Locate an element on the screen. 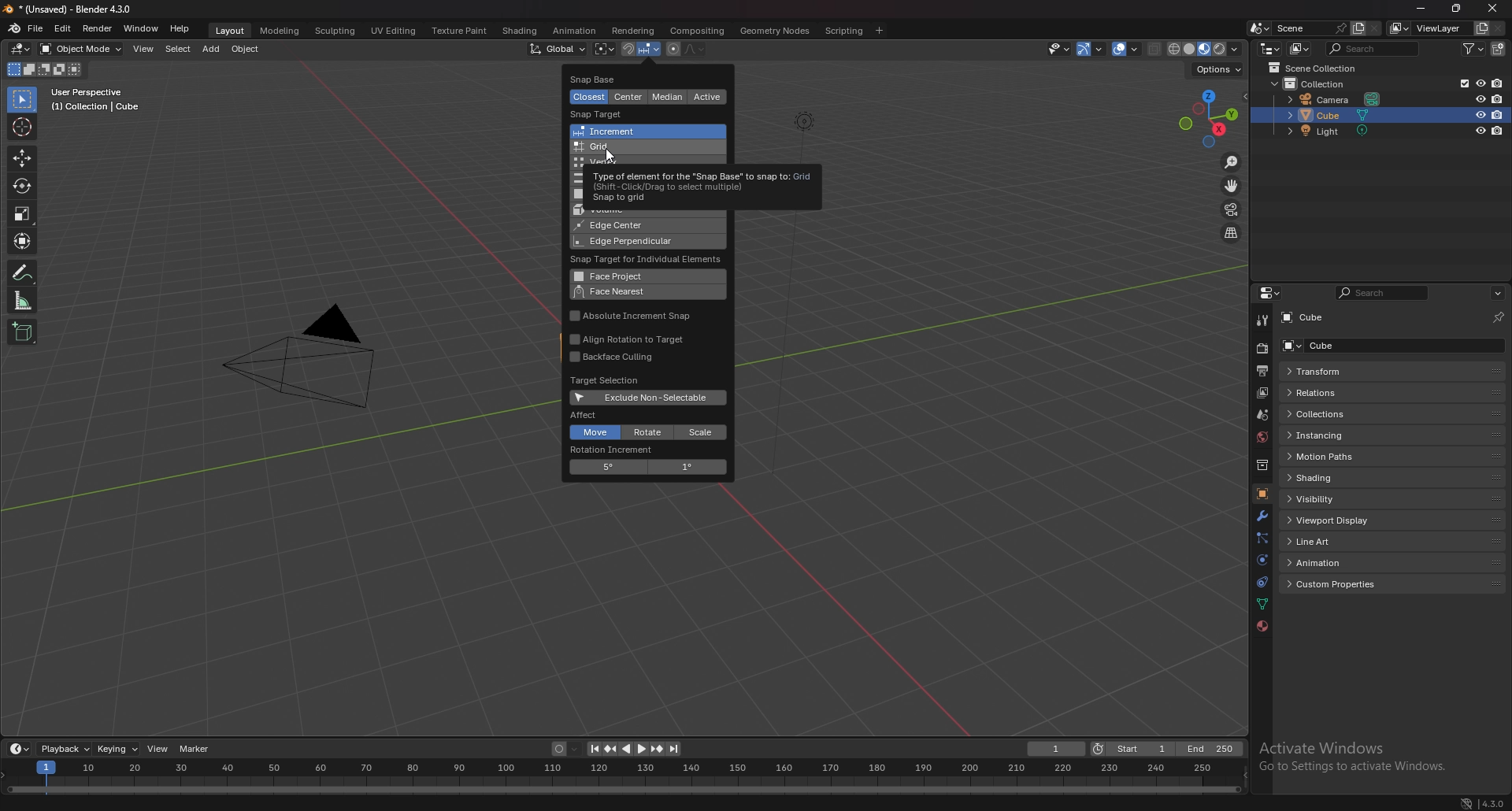 The height and width of the screenshot is (811, 1512). add cube is located at coordinates (22, 331).